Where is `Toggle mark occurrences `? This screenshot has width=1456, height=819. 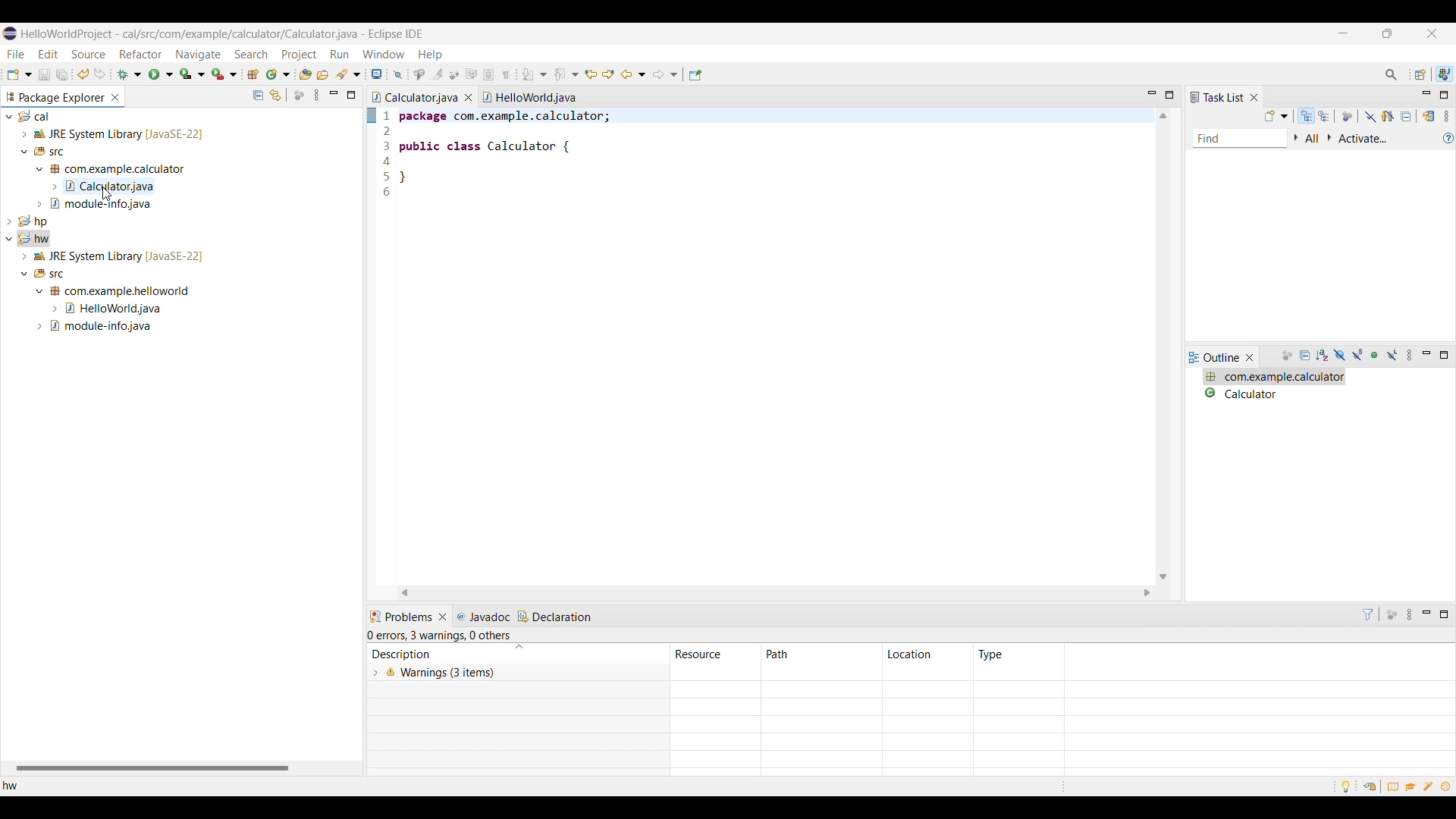
Toggle mark occurrences  is located at coordinates (438, 74).